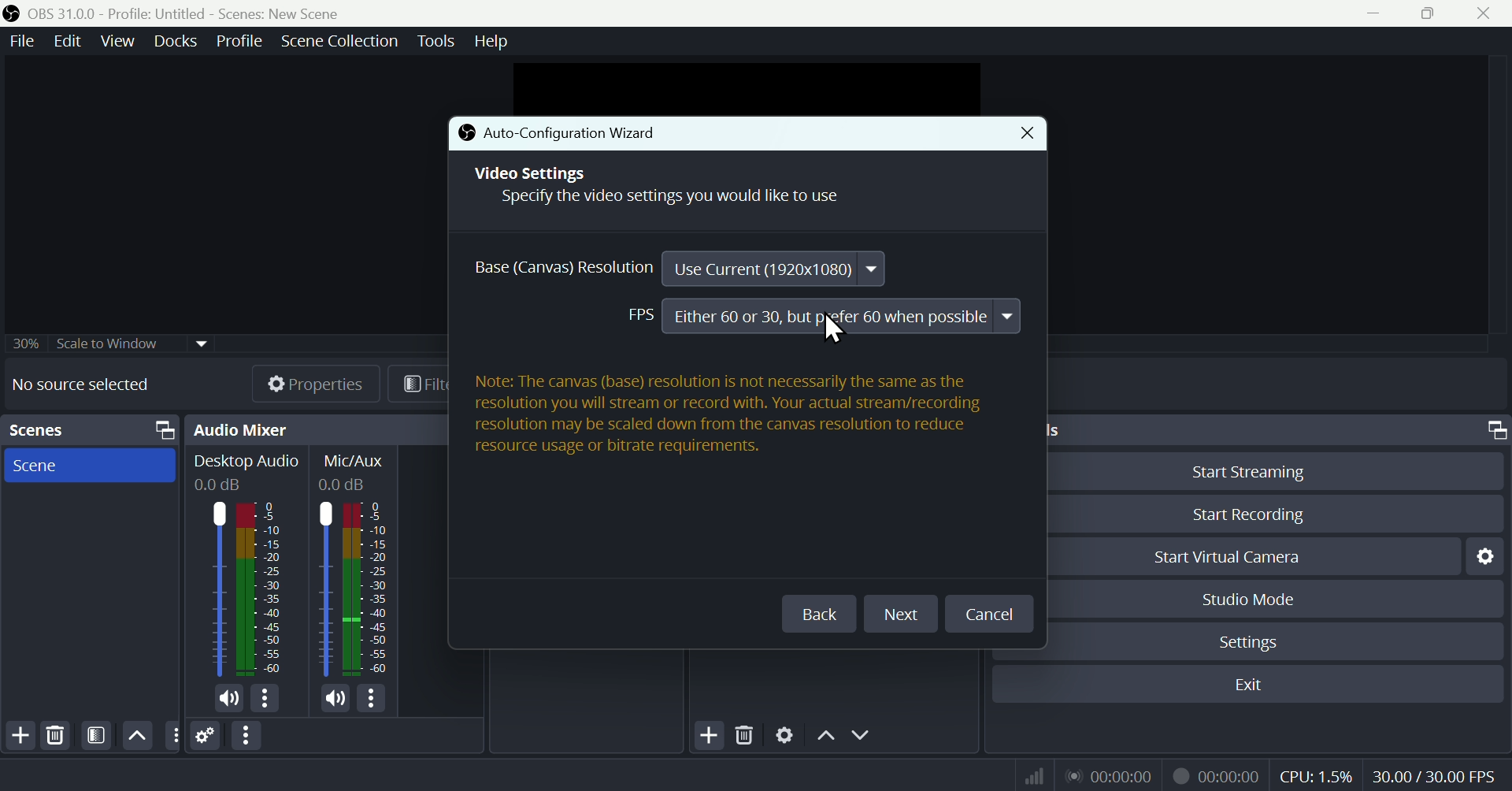  What do you see at coordinates (1315, 774) in the screenshot?
I see `CPU` at bounding box center [1315, 774].